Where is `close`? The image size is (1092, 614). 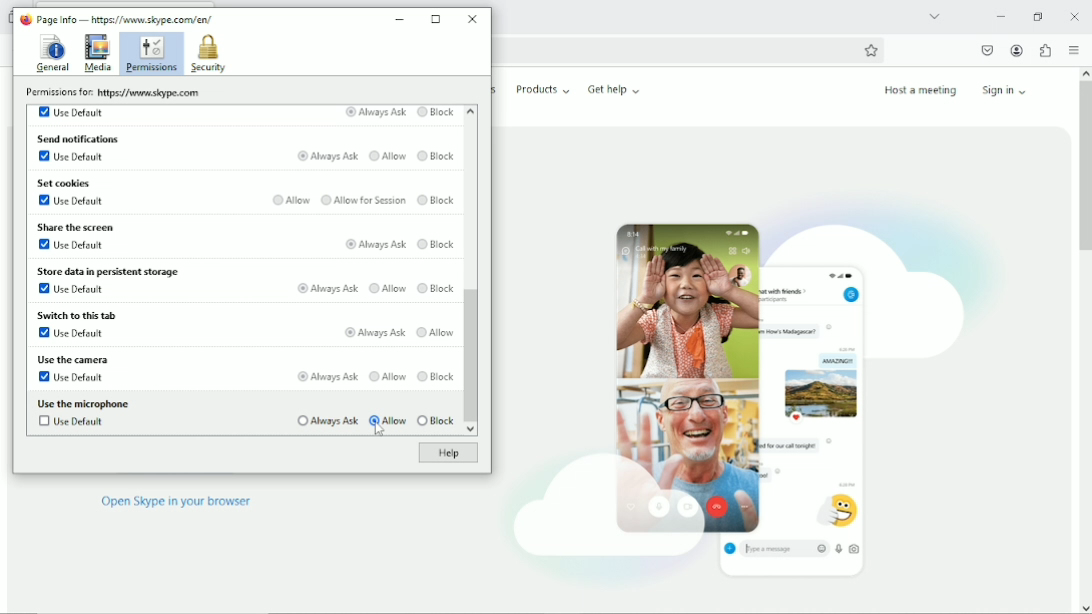
close is located at coordinates (1075, 16).